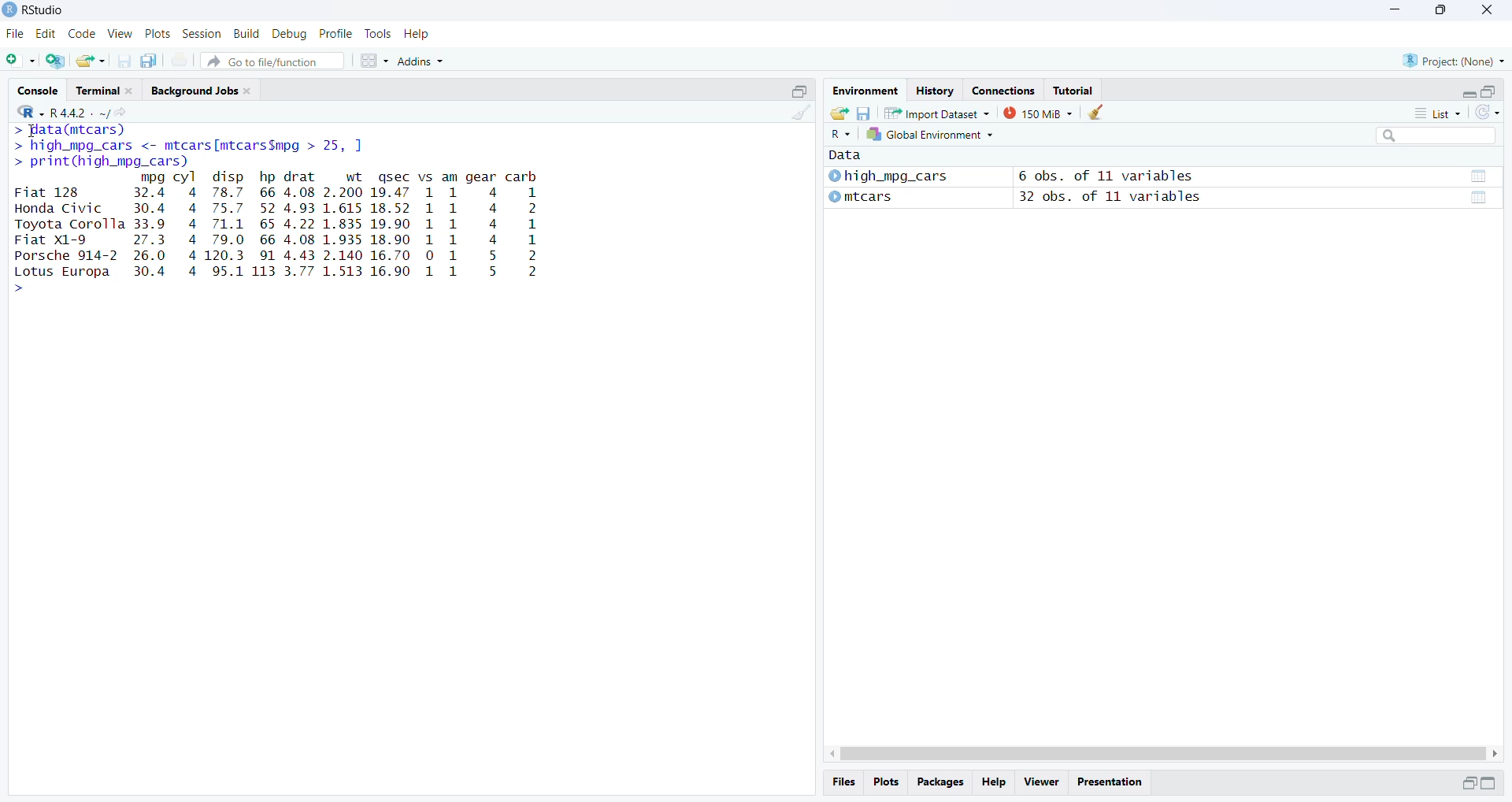 The height and width of the screenshot is (802, 1512). What do you see at coordinates (17, 33) in the screenshot?
I see `File` at bounding box center [17, 33].